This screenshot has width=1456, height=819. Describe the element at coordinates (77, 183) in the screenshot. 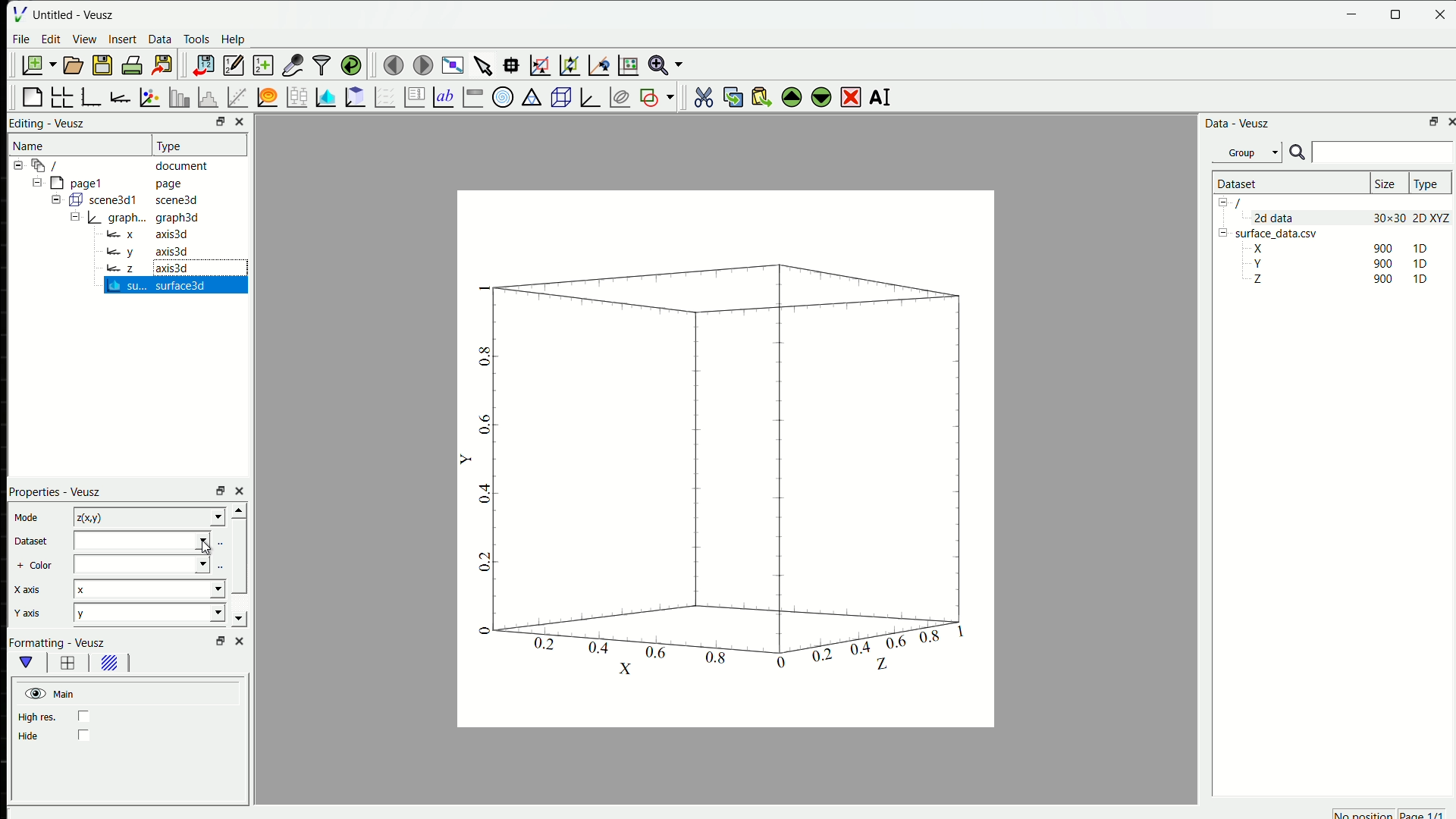

I see `page1` at that location.